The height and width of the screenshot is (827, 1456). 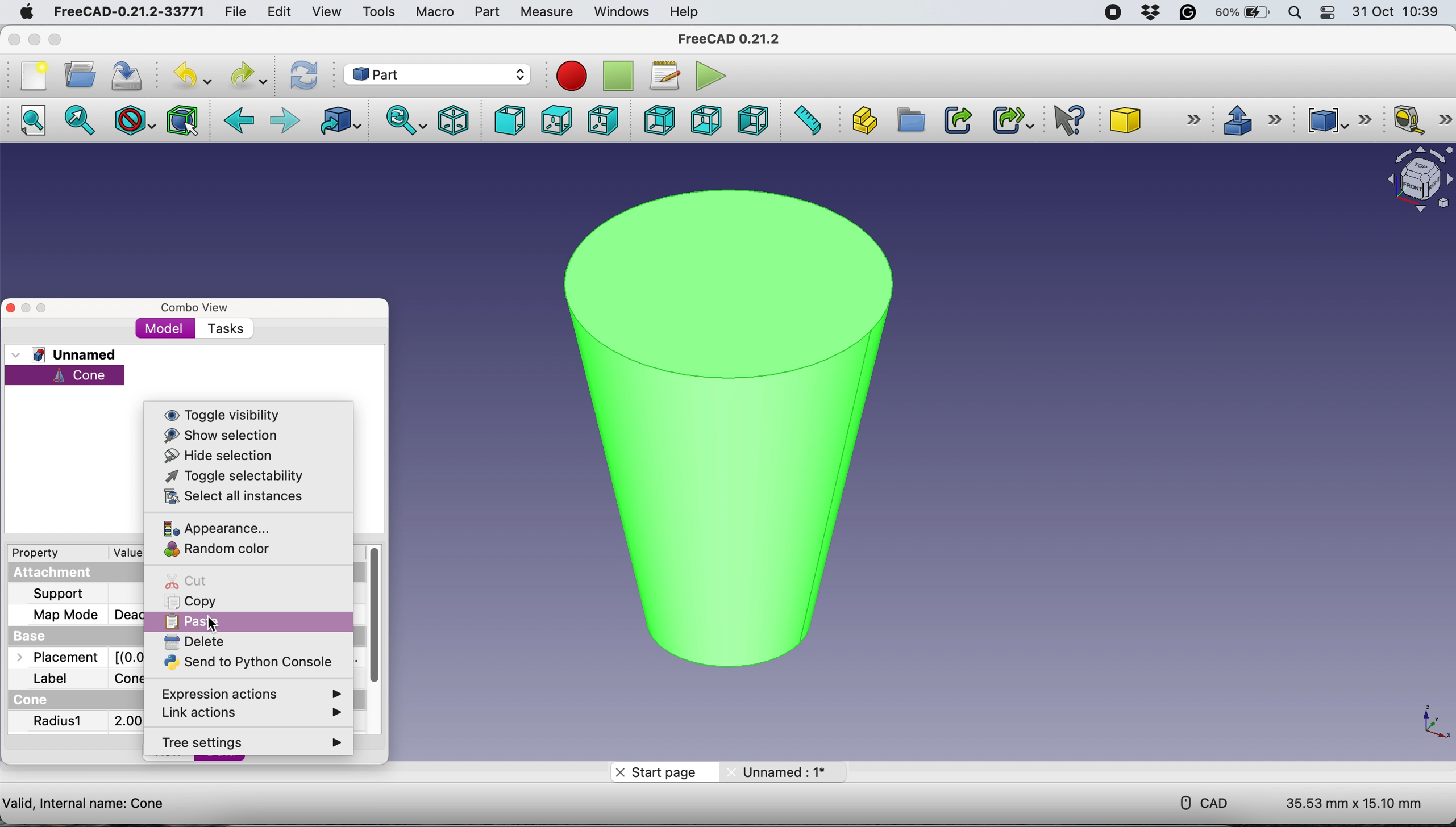 I want to click on map mode: Deactivated, so click(x=77, y=615).